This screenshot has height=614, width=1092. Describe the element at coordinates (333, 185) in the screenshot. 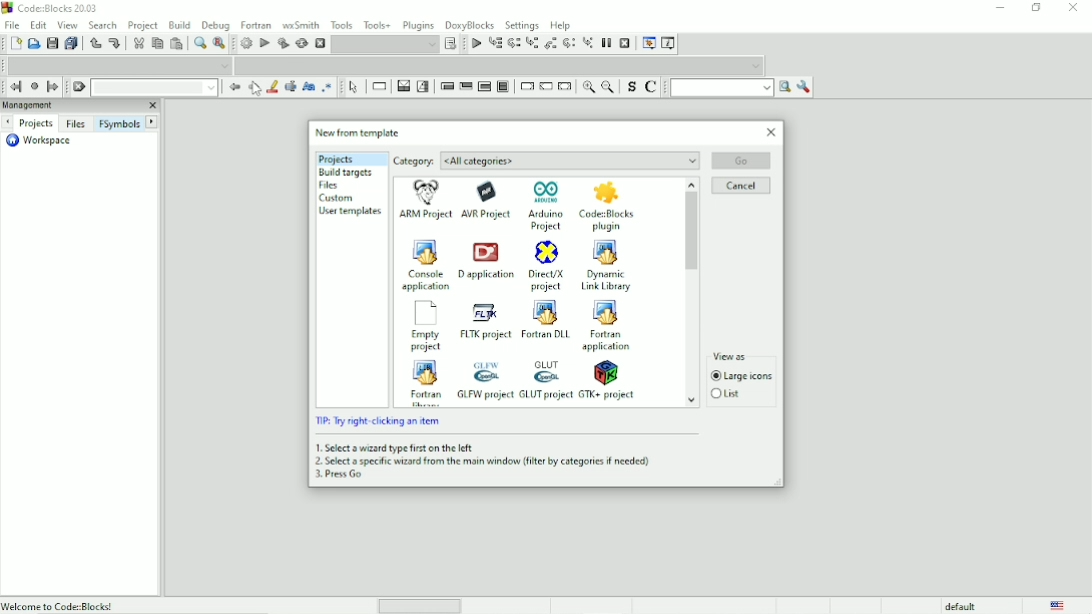

I see `Files` at that location.